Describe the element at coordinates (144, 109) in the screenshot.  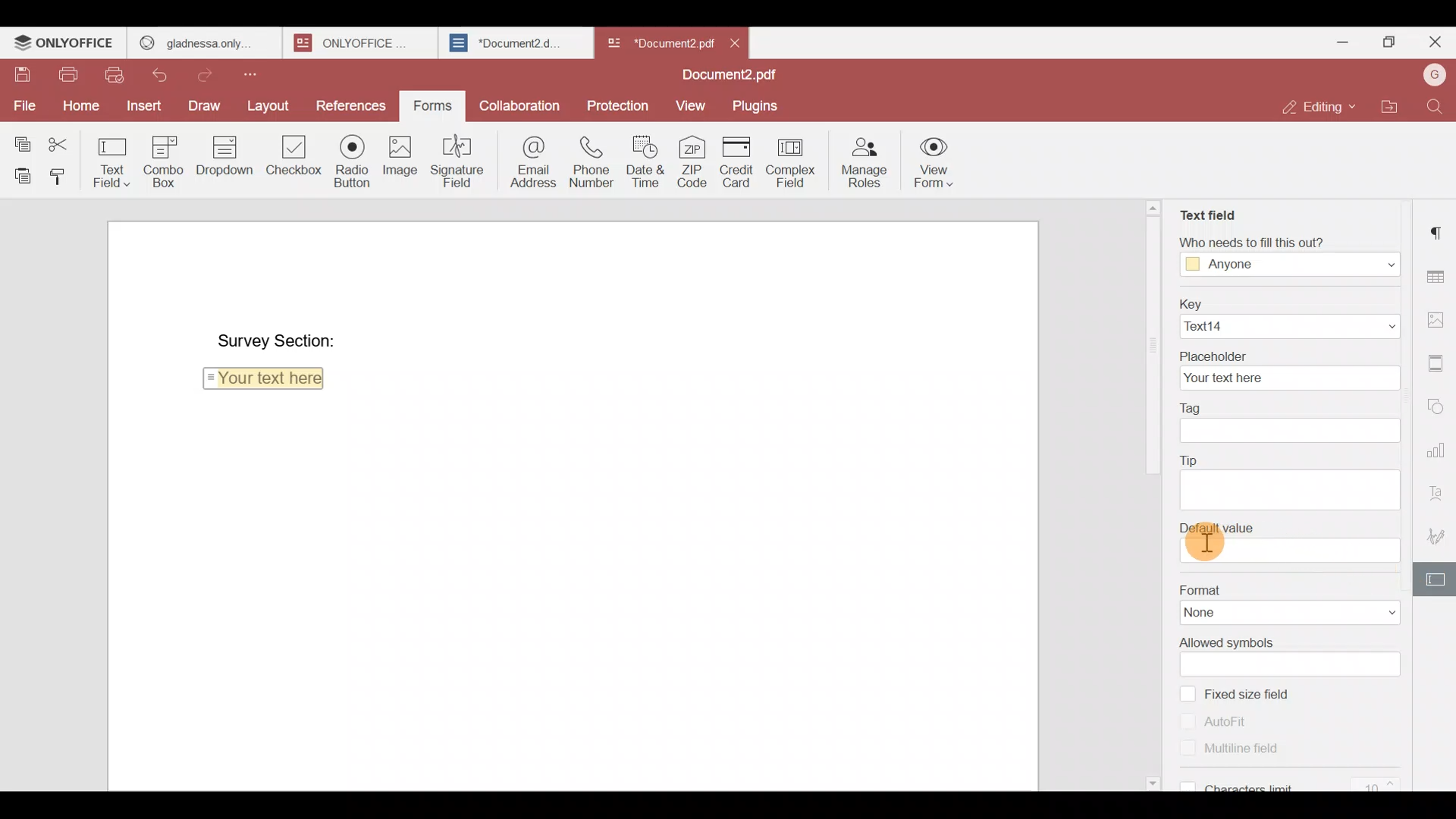
I see `Insert` at that location.